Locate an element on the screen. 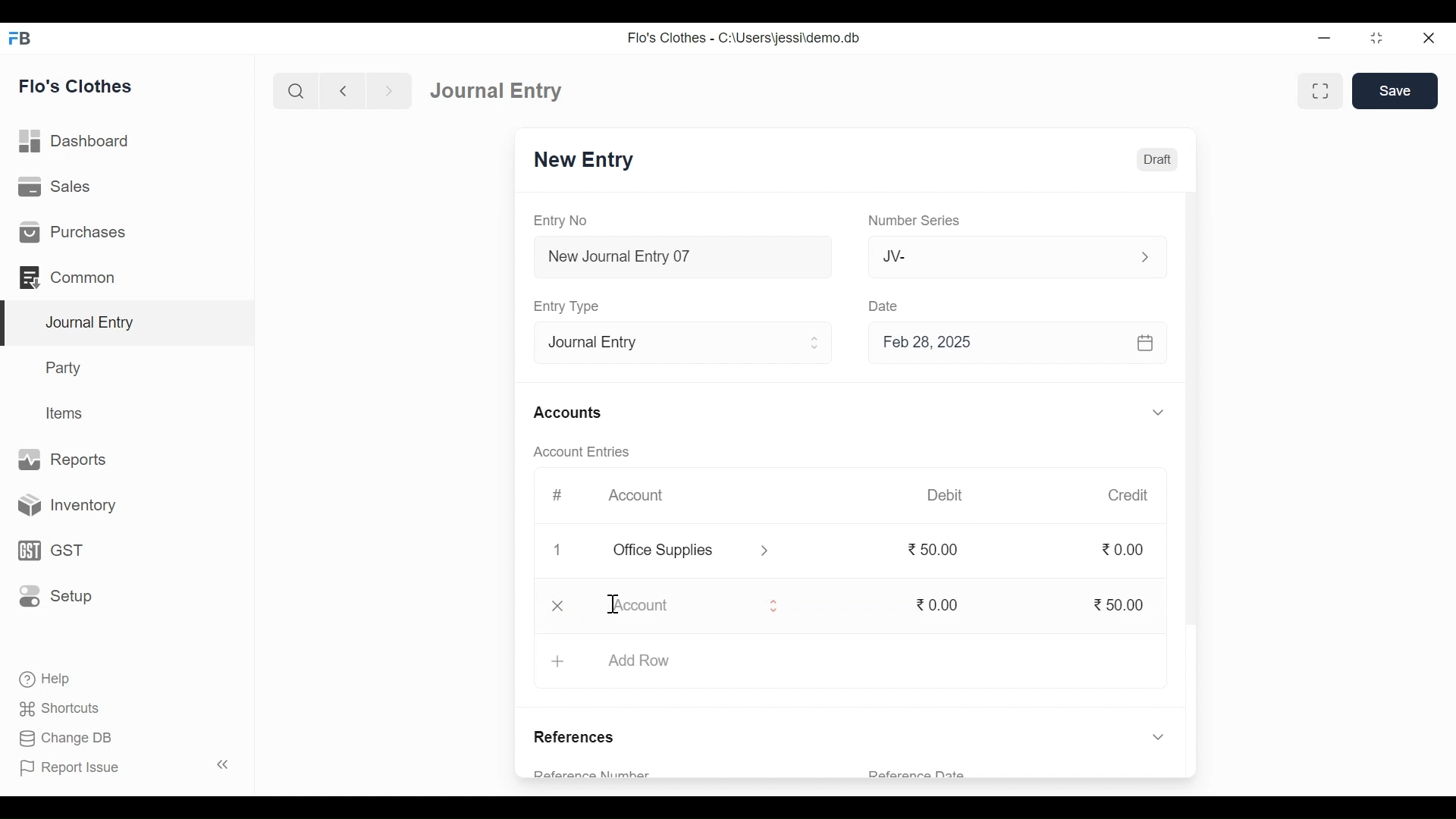 The width and height of the screenshot is (1456, 819). Expand is located at coordinates (1158, 739).